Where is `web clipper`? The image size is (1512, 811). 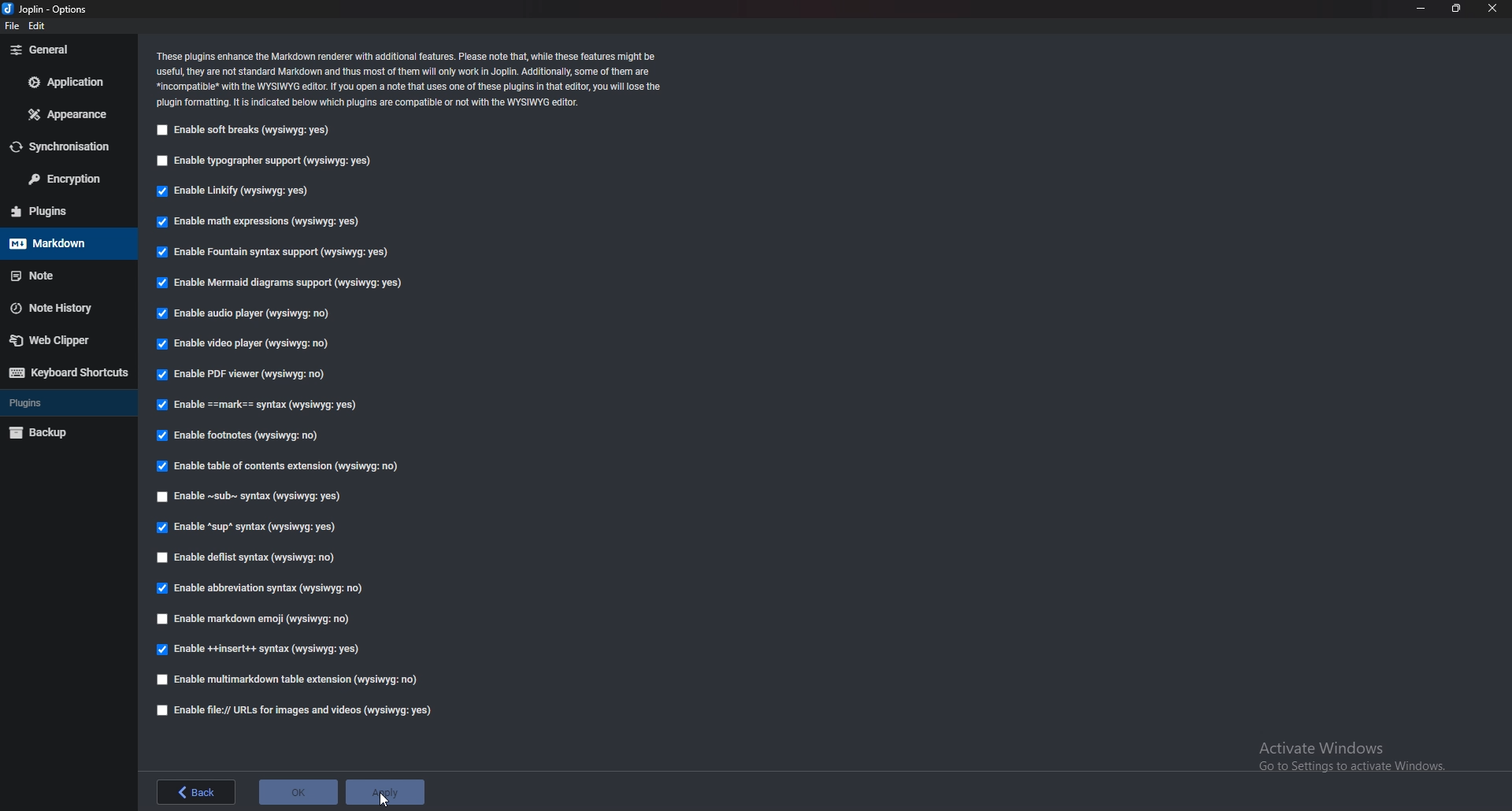
web clipper is located at coordinates (69, 340).